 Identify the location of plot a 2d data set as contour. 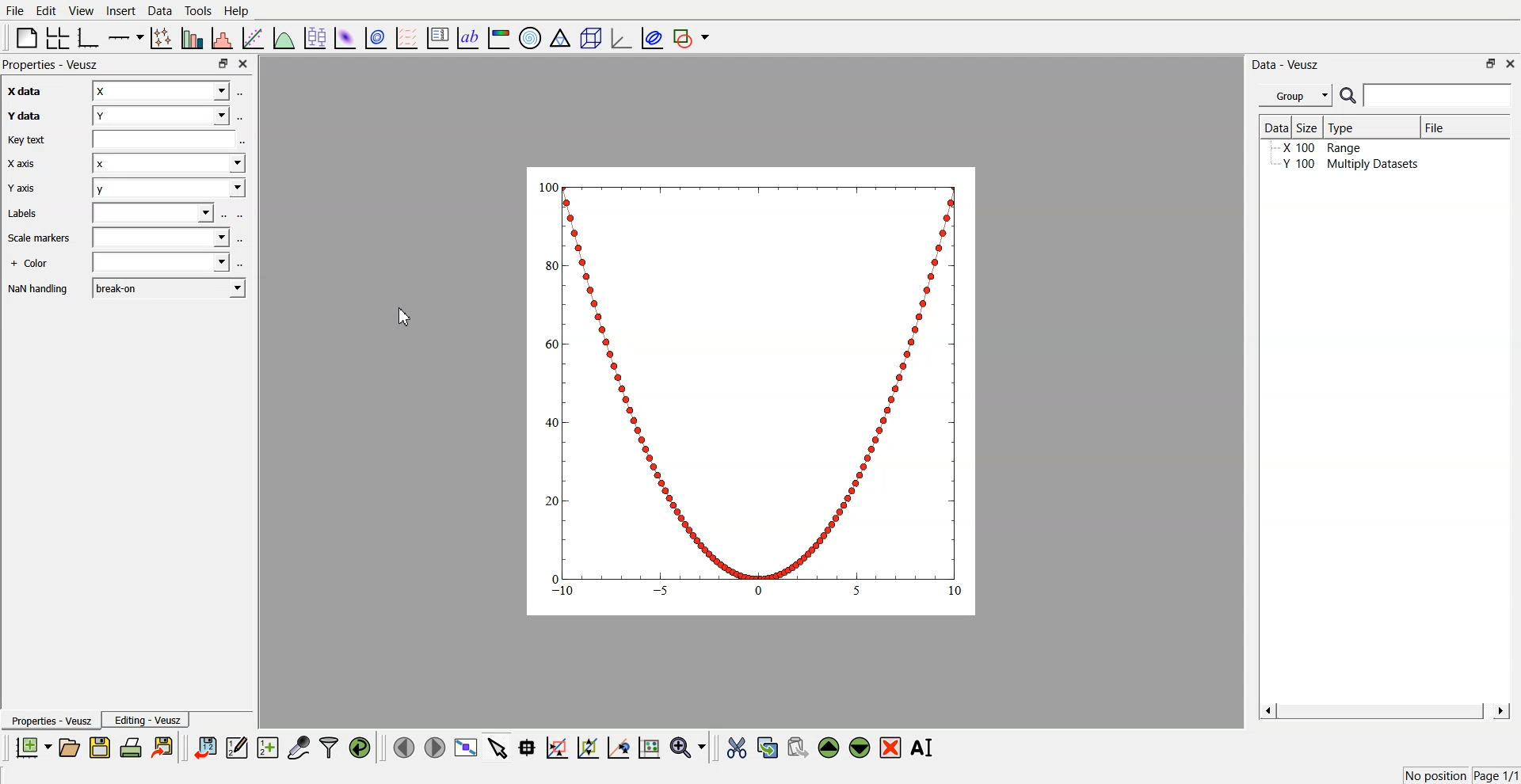
(375, 39).